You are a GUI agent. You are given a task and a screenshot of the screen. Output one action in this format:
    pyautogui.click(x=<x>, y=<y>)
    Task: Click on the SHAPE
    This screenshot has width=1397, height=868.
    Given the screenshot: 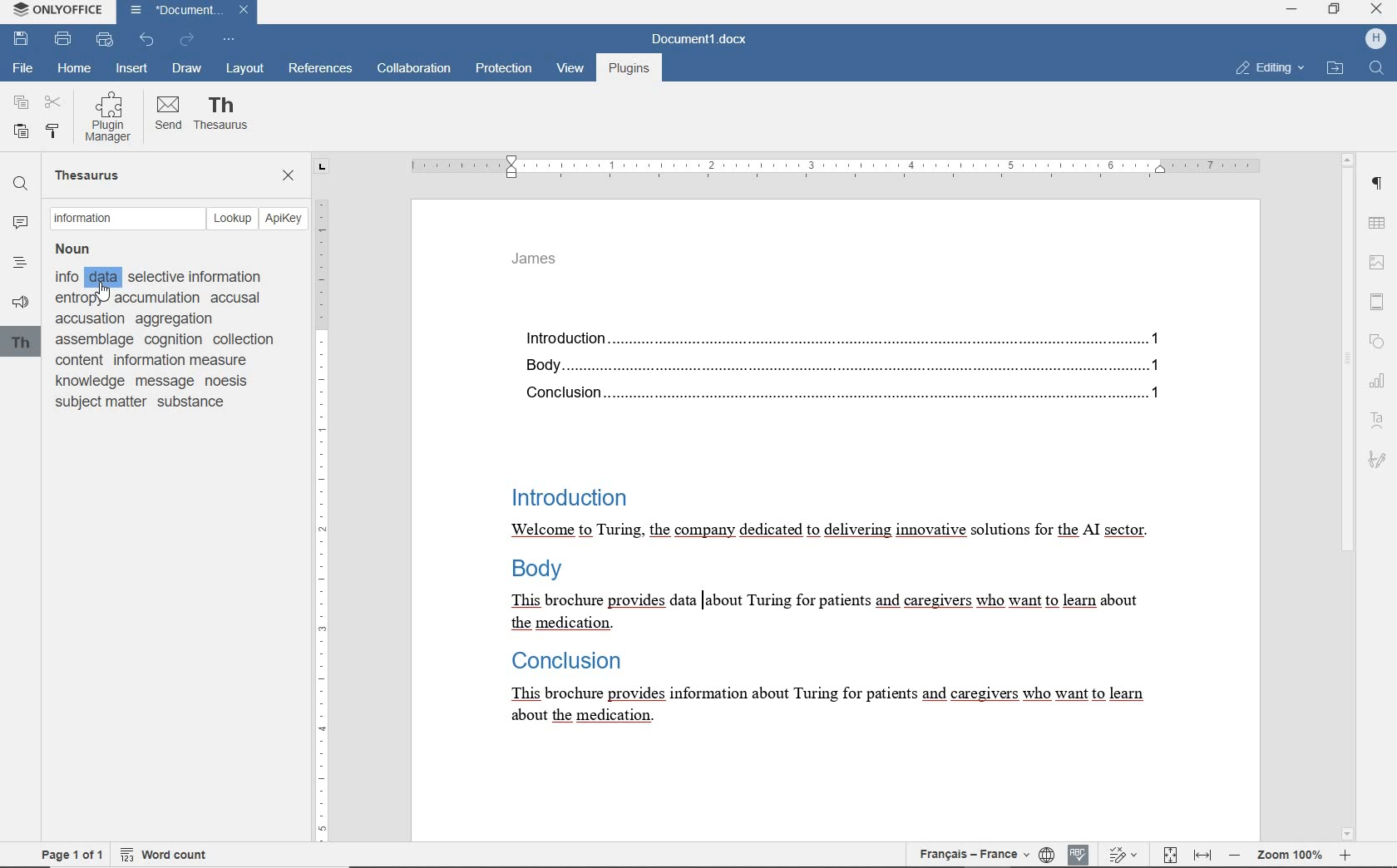 What is the action you would take?
    pyautogui.click(x=1375, y=340)
    